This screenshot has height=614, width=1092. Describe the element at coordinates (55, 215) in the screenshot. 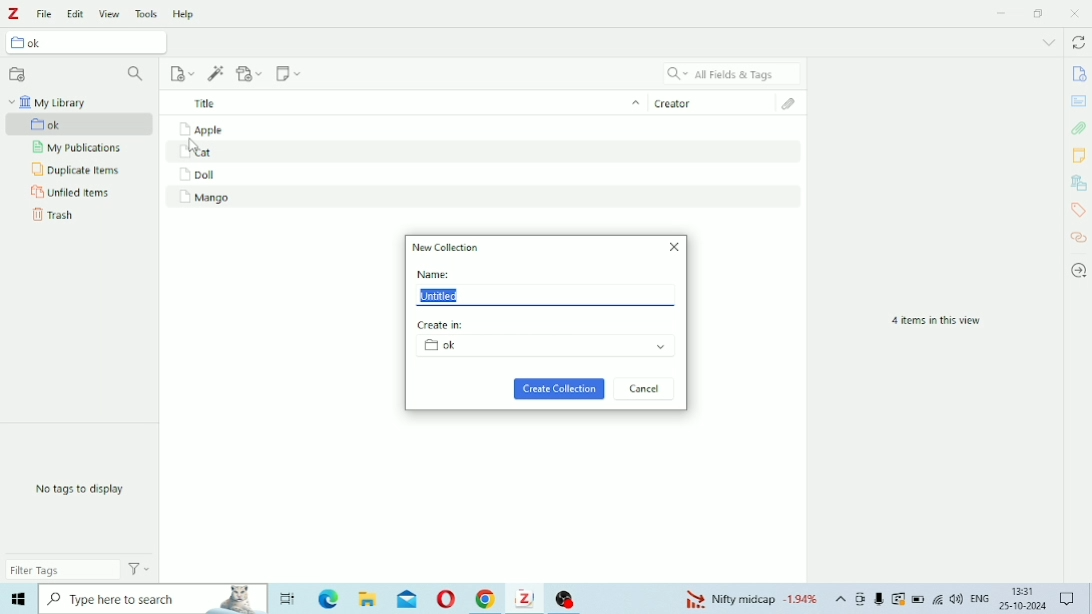

I see `Trash` at that location.